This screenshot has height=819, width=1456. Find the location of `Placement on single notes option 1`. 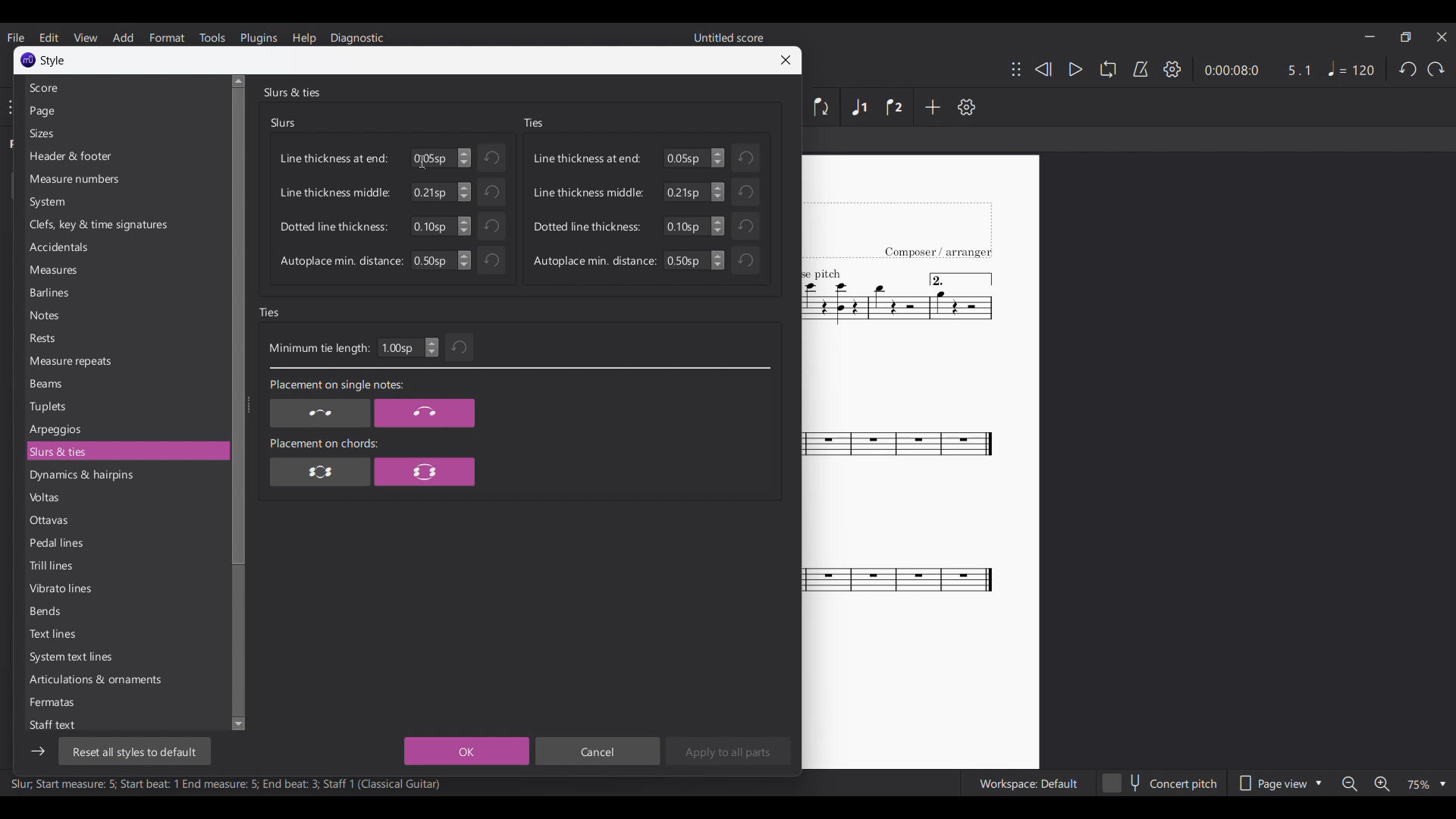

Placement on single notes option 1 is located at coordinates (319, 413).